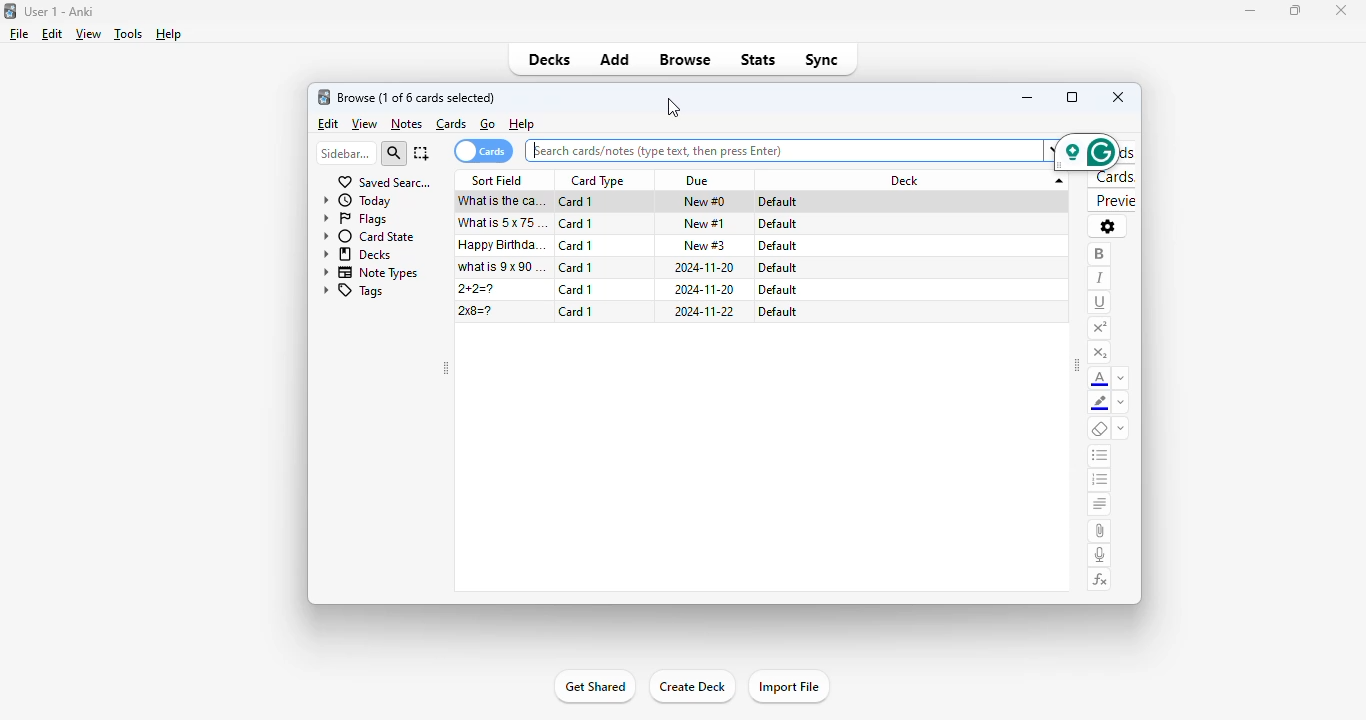  Describe the element at coordinates (704, 312) in the screenshot. I see `2024-11-22` at that location.